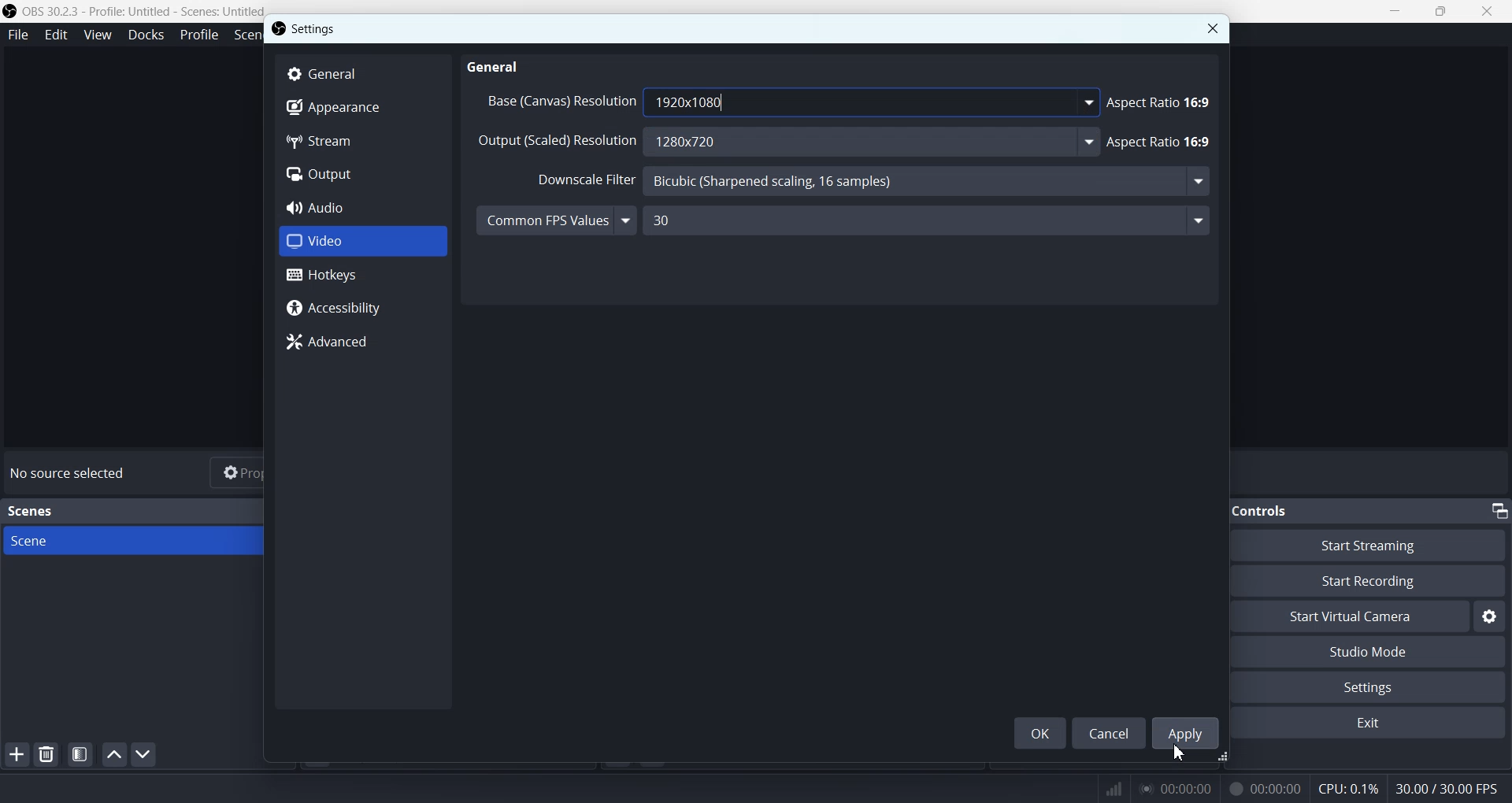 The width and height of the screenshot is (1512, 803). I want to click on General, so click(498, 65).